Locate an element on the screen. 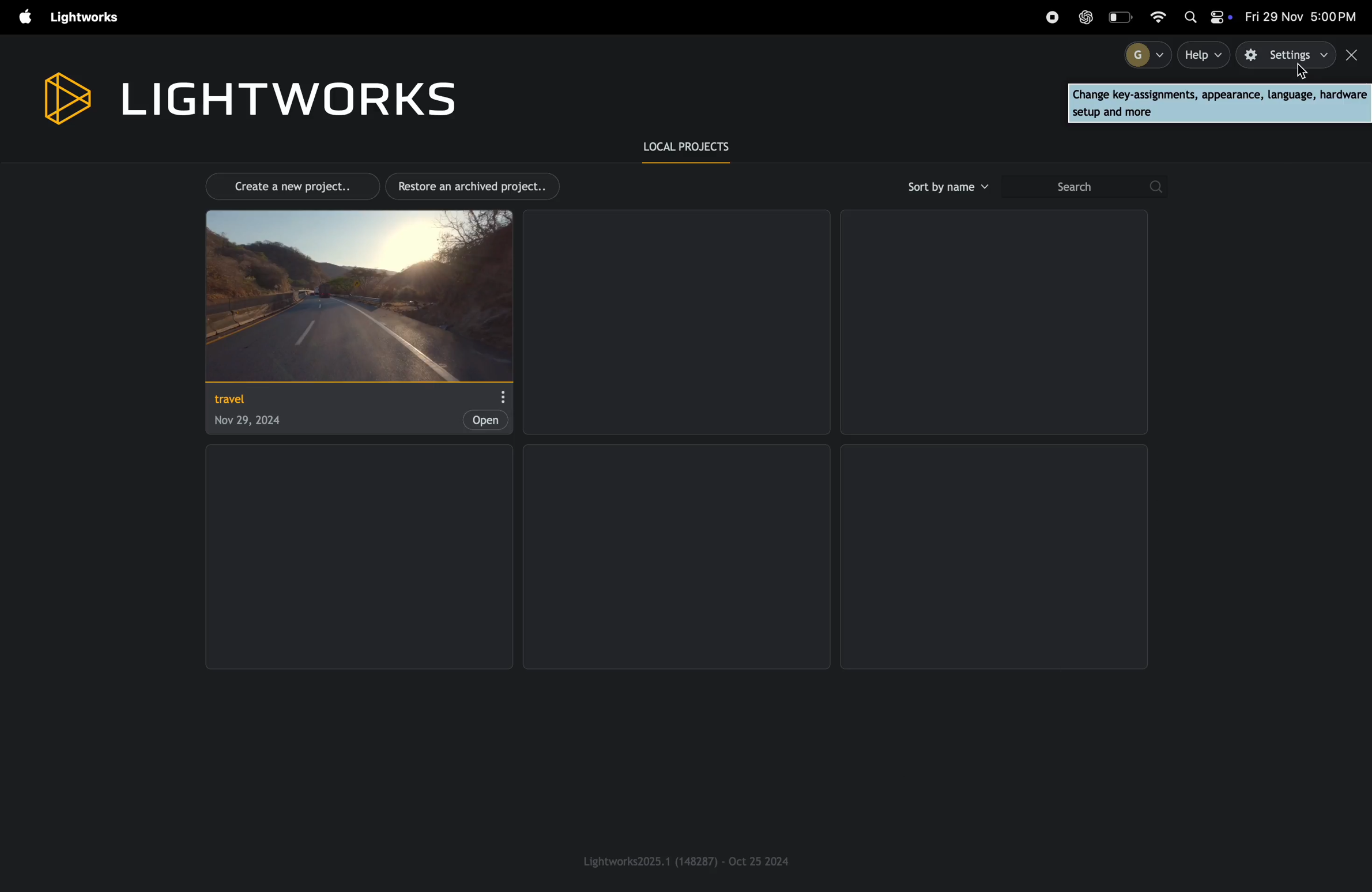 The width and height of the screenshot is (1372, 892). project travel is located at coordinates (355, 322).